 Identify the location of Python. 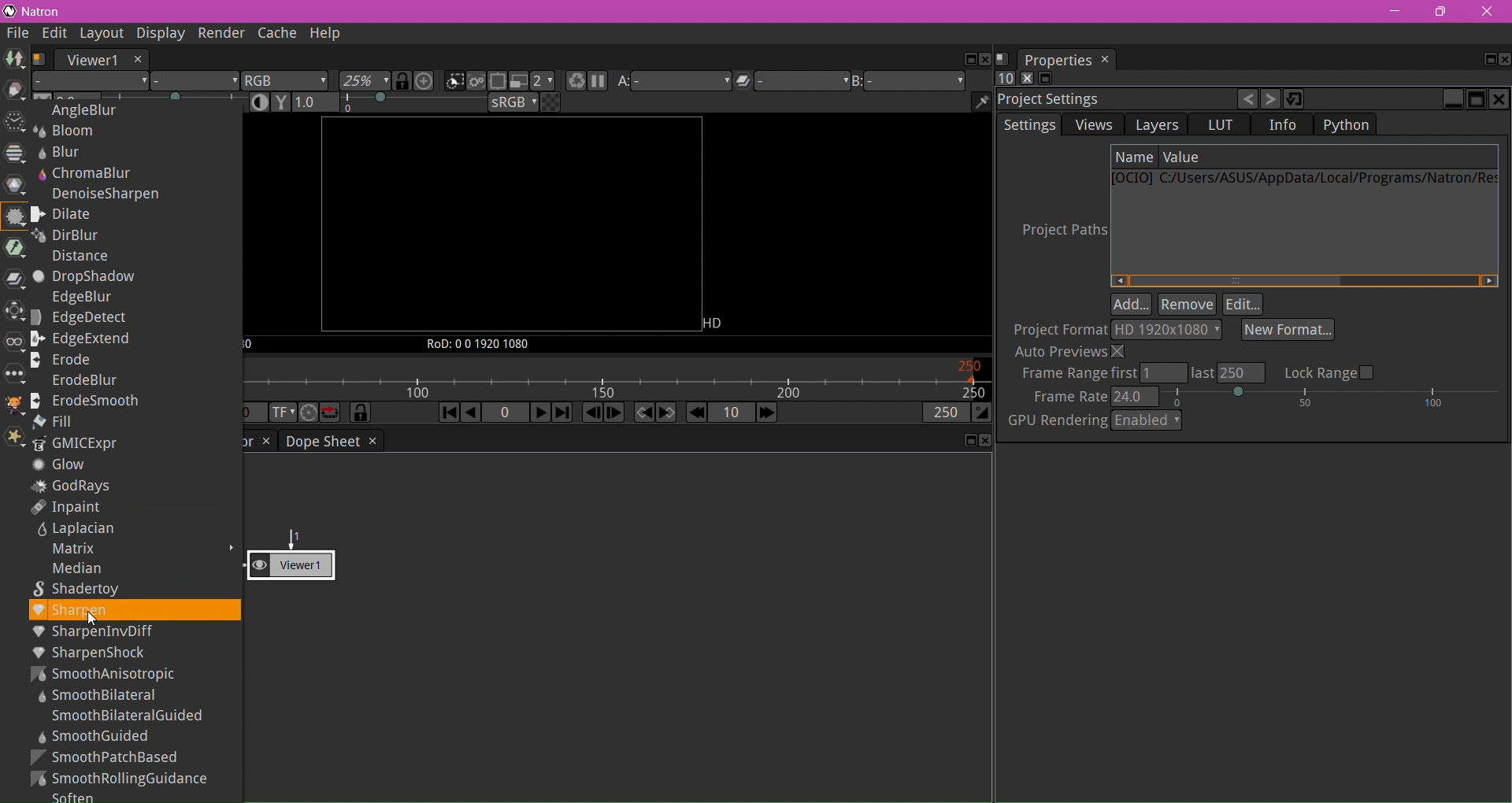
(1345, 124).